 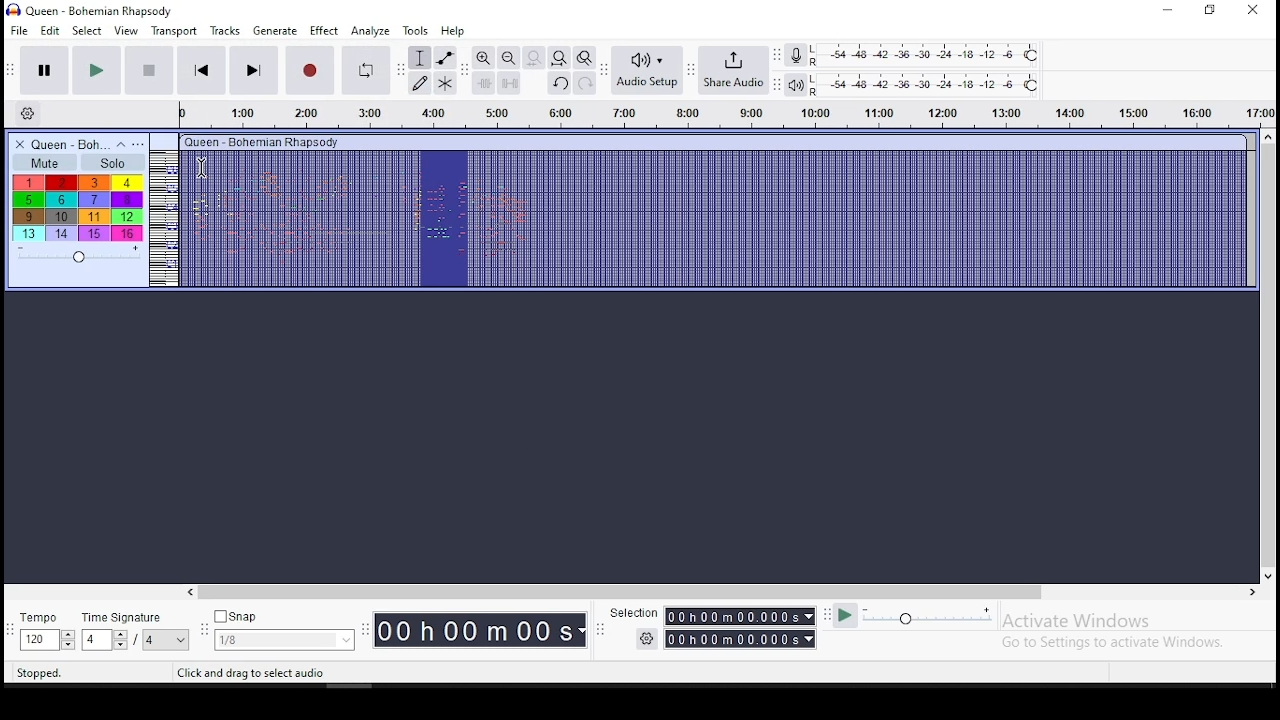 What do you see at coordinates (124, 143) in the screenshot?
I see `collapse` at bounding box center [124, 143].